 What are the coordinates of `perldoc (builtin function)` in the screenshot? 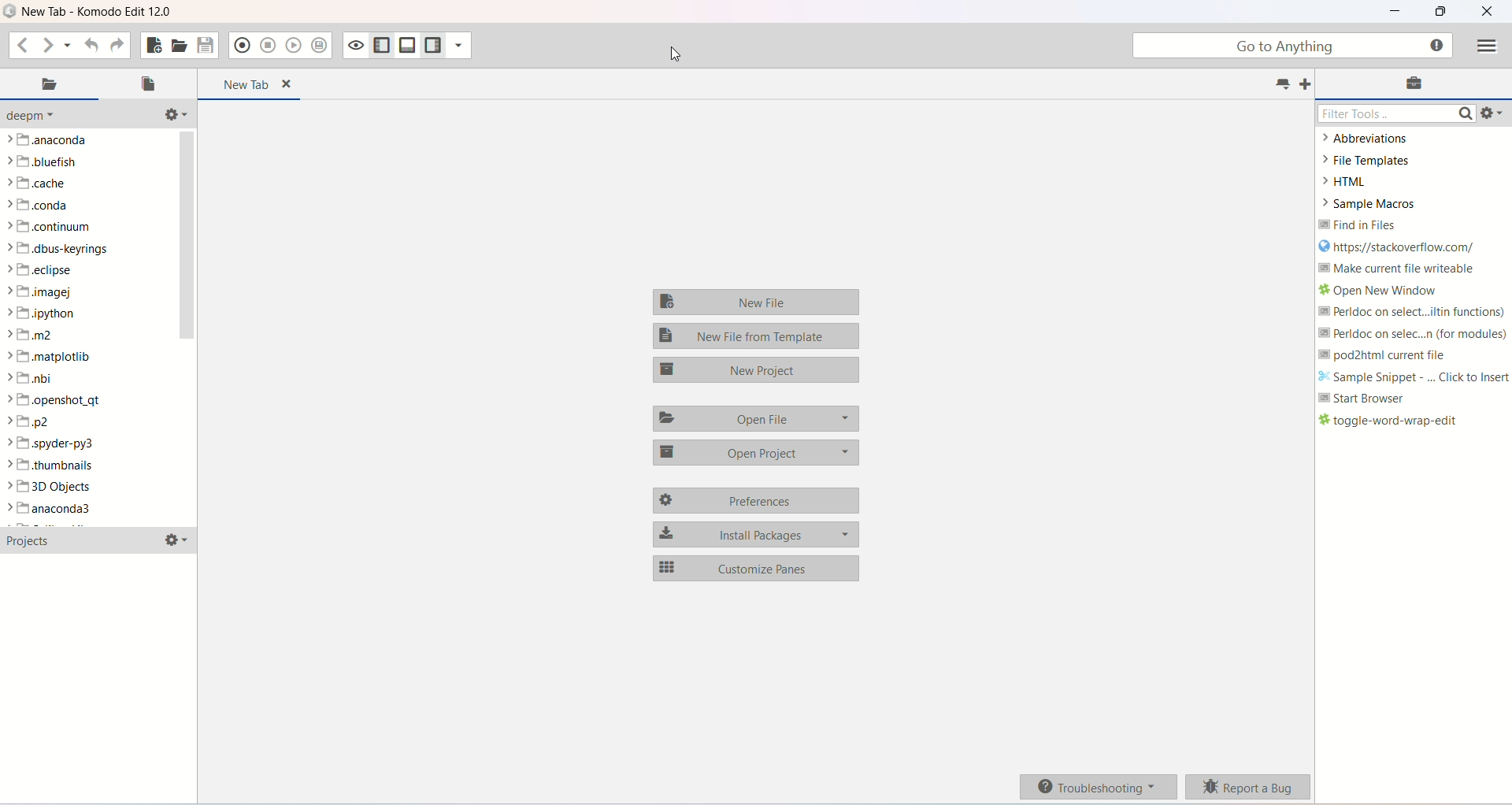 It's located at (1414, 310).